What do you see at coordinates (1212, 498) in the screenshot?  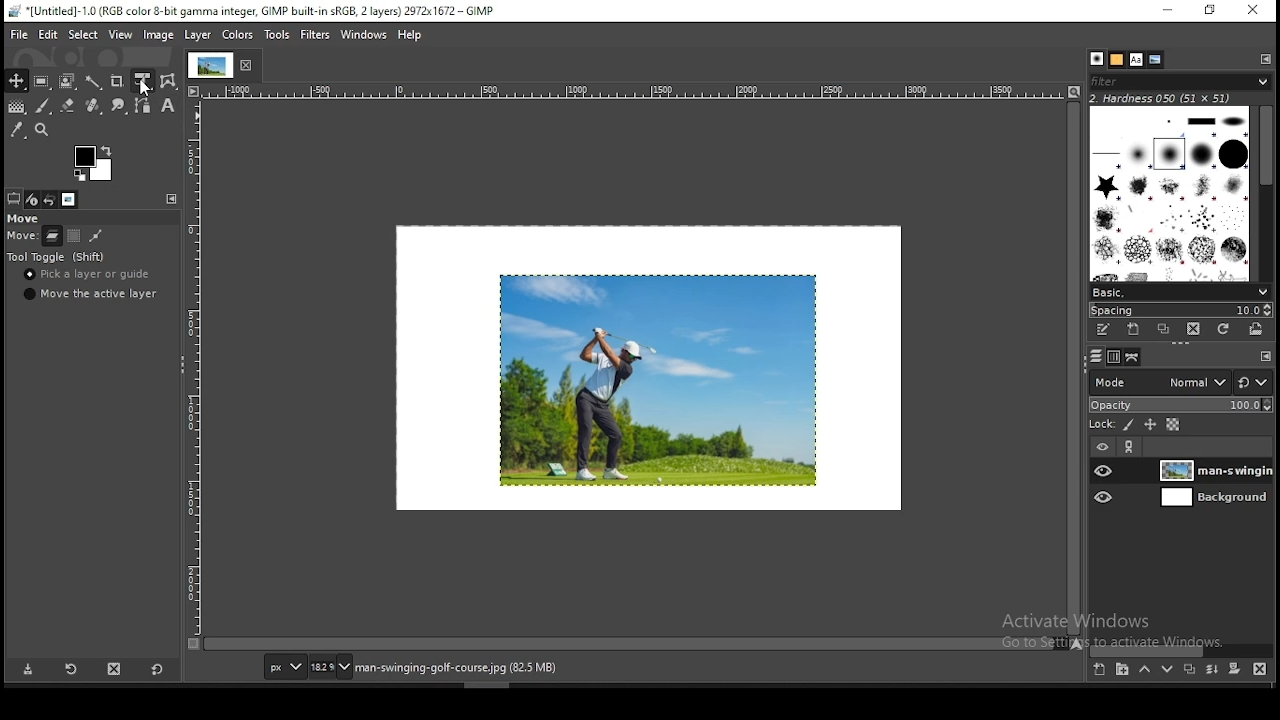 I see `layer ` at bounding box center [1212, 498].